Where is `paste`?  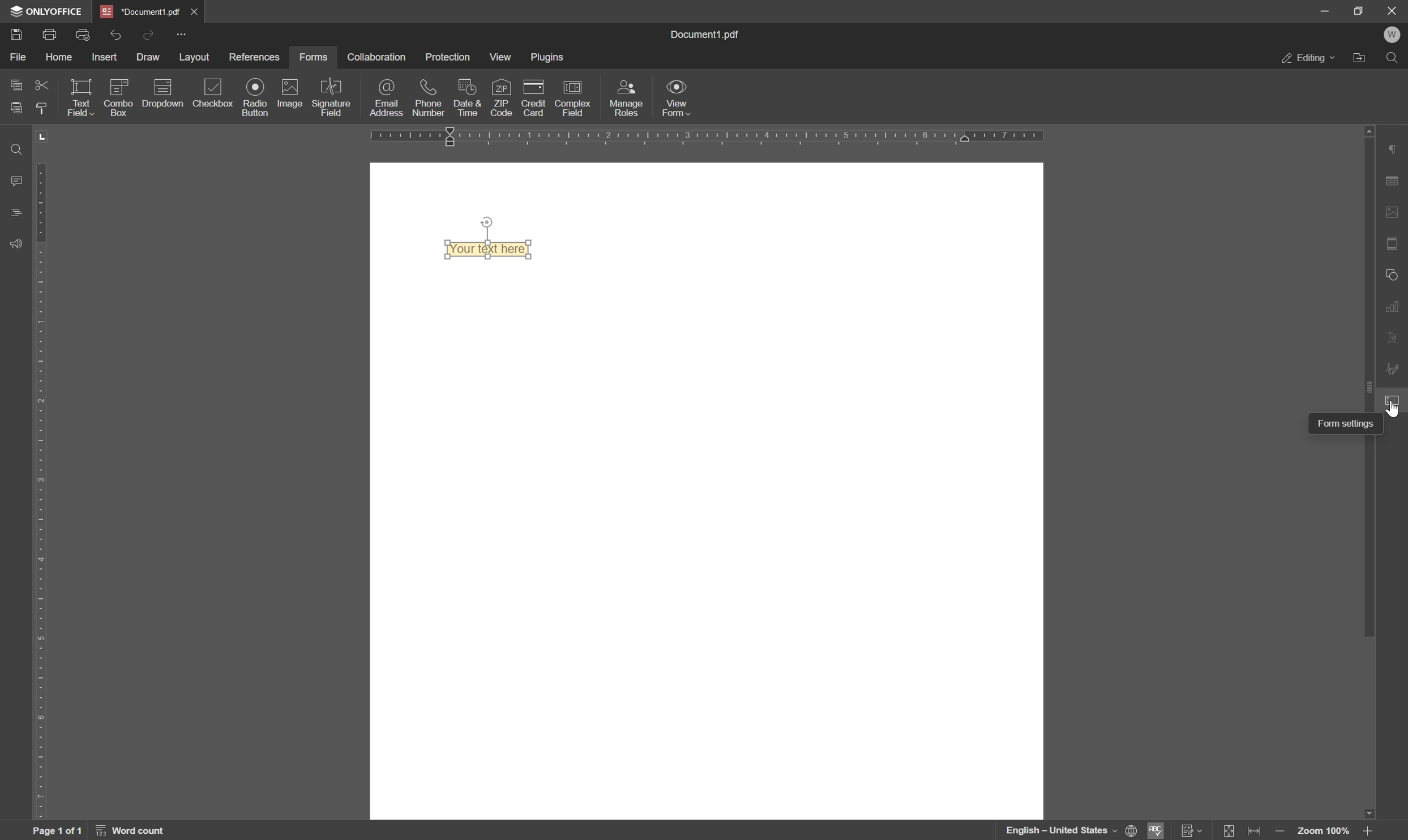
paste is located at coordinates (12, 109).